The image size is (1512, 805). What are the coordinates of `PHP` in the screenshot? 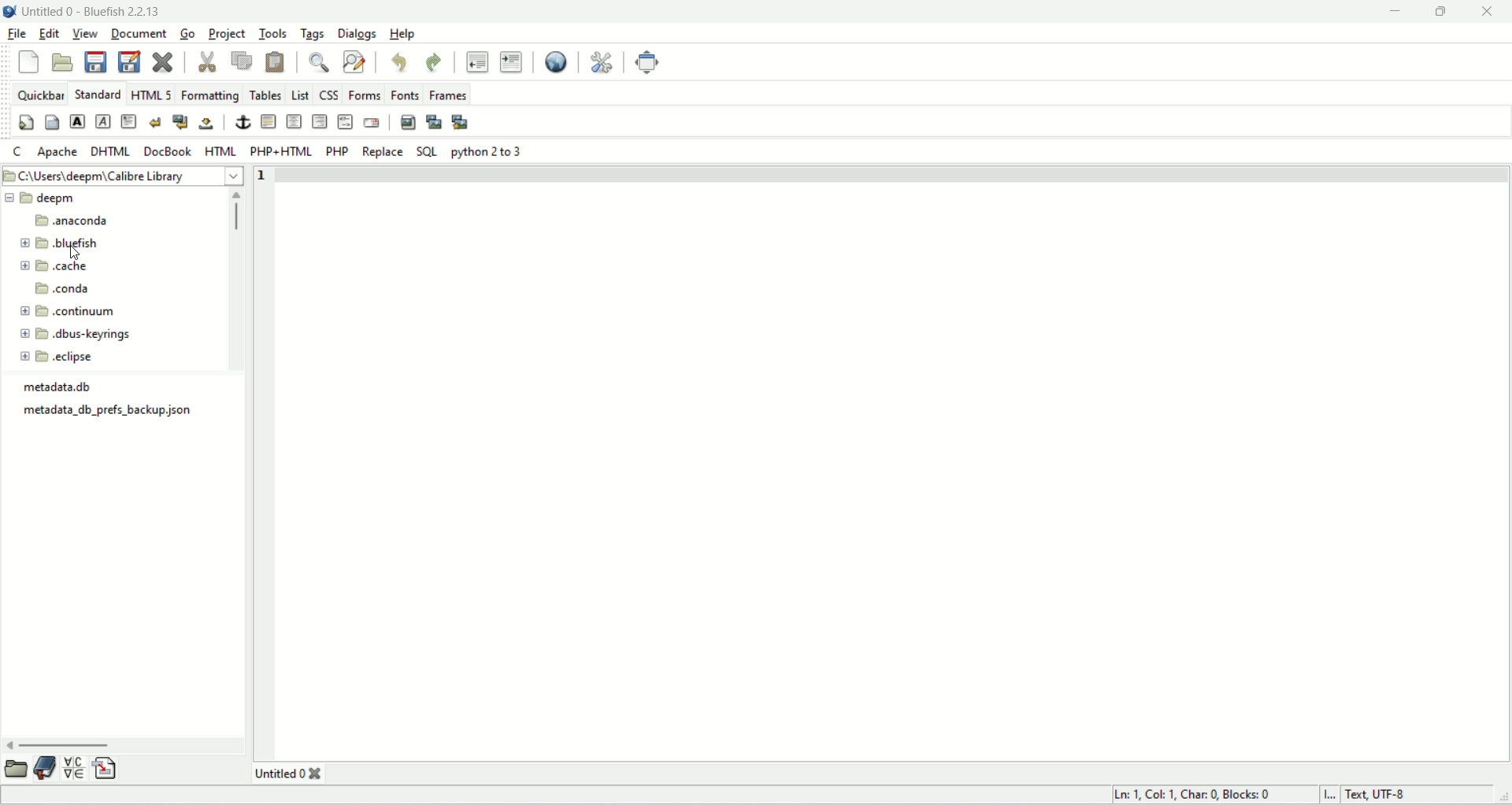 It's located at (338, 150).